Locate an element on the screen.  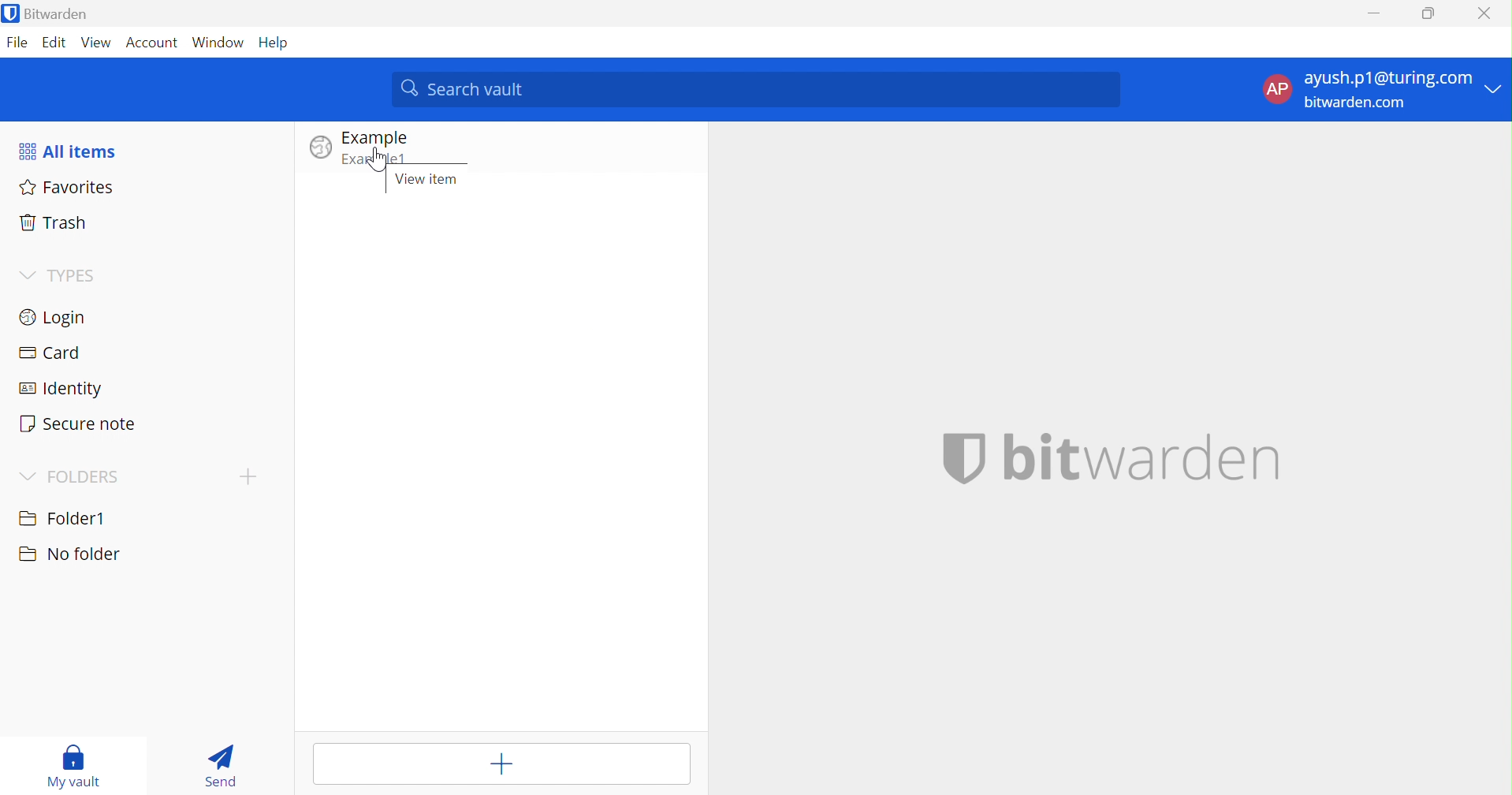
View item is located at coordinates (426, 180).